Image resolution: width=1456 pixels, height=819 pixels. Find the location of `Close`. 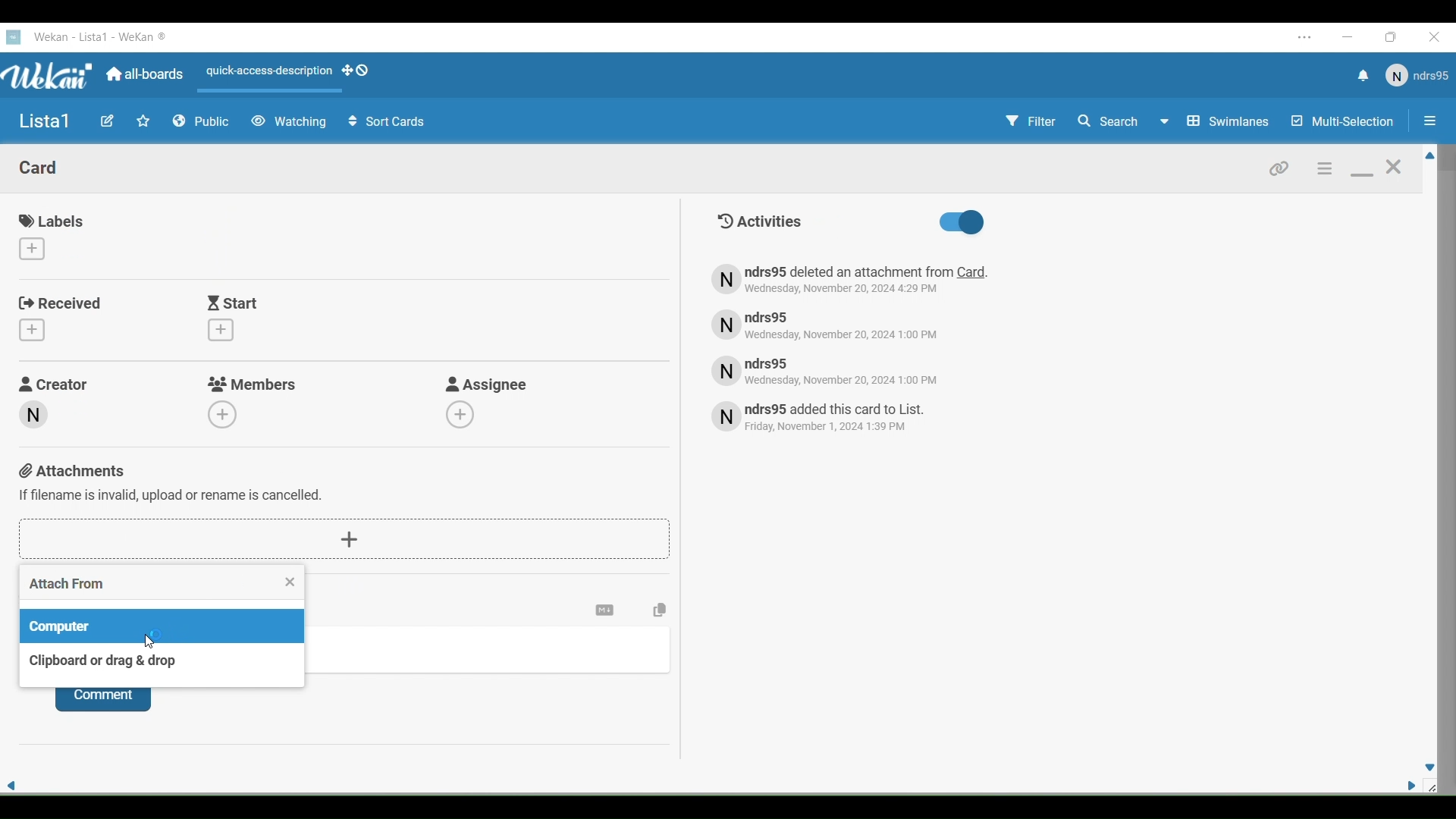

Close is located at coordinates (1438, 38).